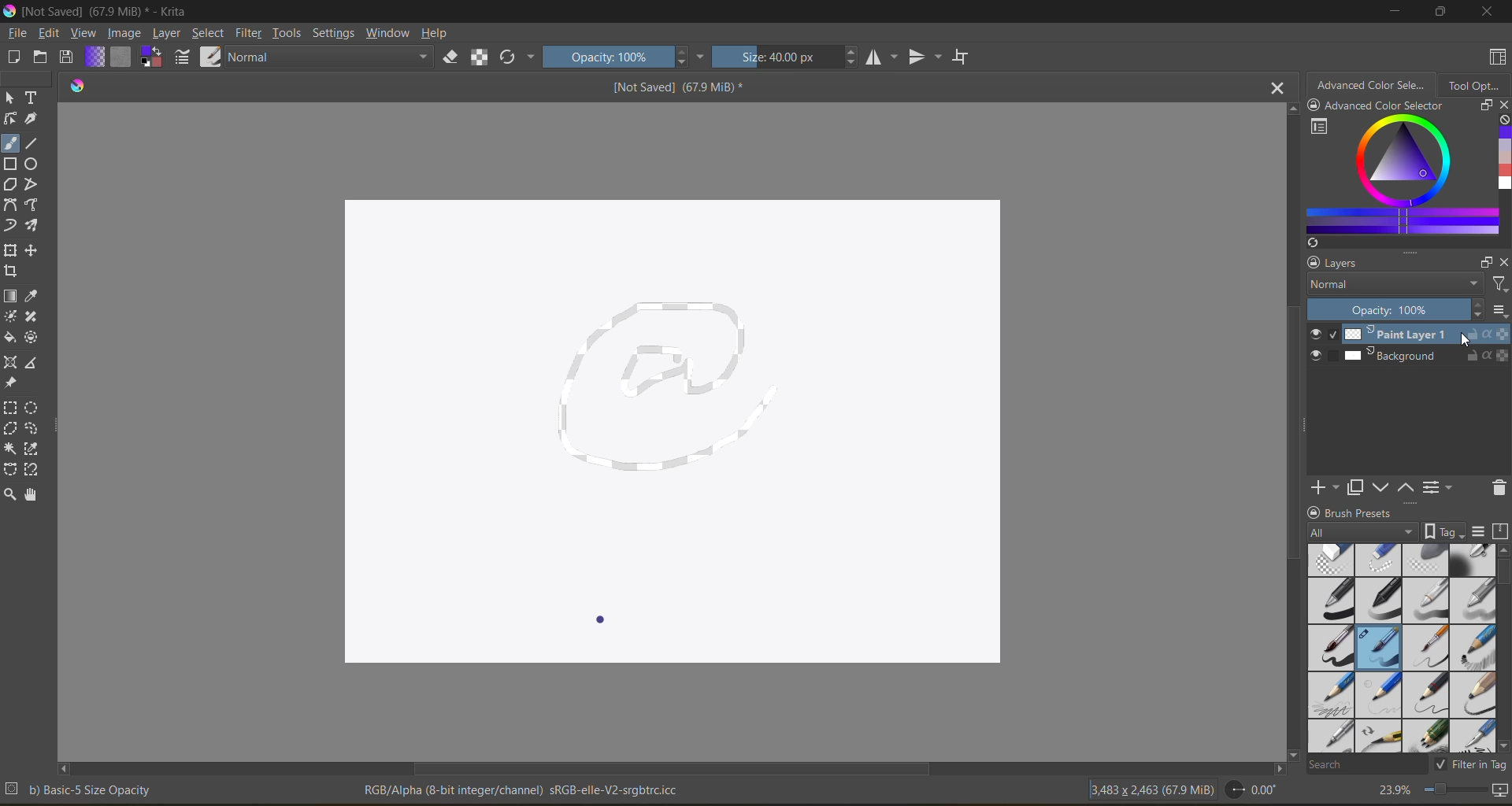 The width and height of the screenshot is (1512, 806). I want to click on settings, so click(334, 34).